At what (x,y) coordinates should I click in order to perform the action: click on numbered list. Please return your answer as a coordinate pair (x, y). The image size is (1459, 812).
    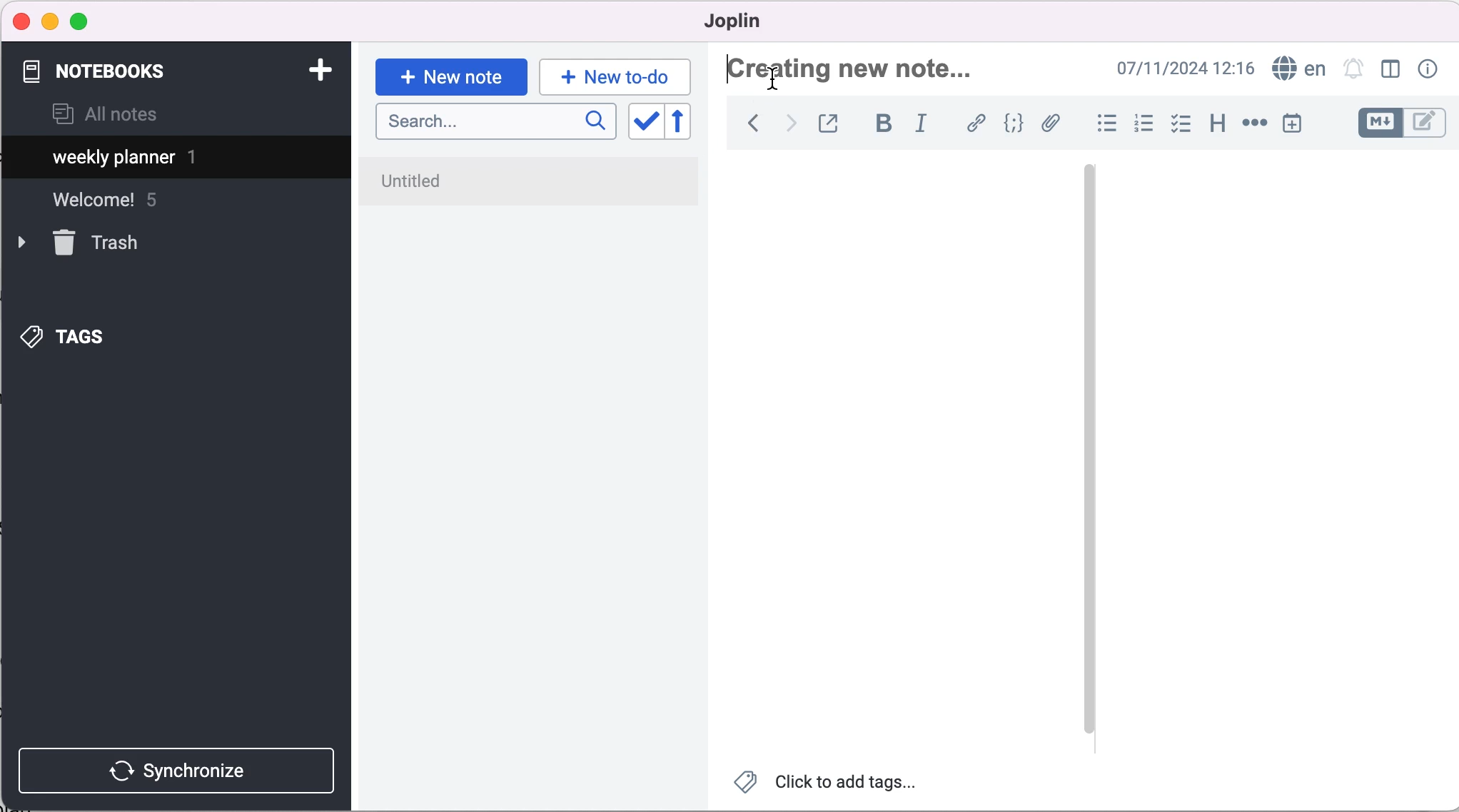
    Looking at the image, I should click on (1143, 126).